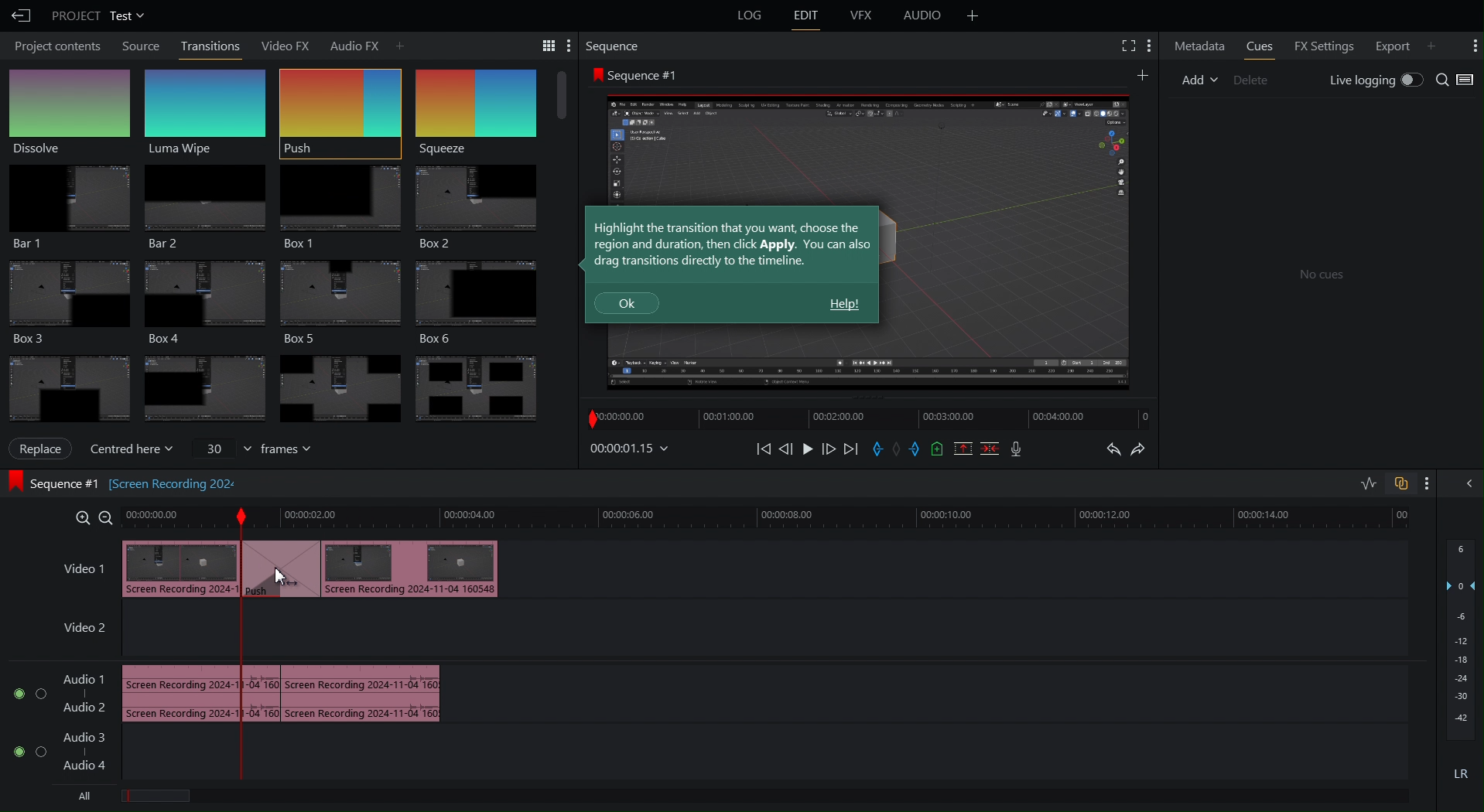 The image size is (1484, 812). I want to click on Logs, so click(742, 19).